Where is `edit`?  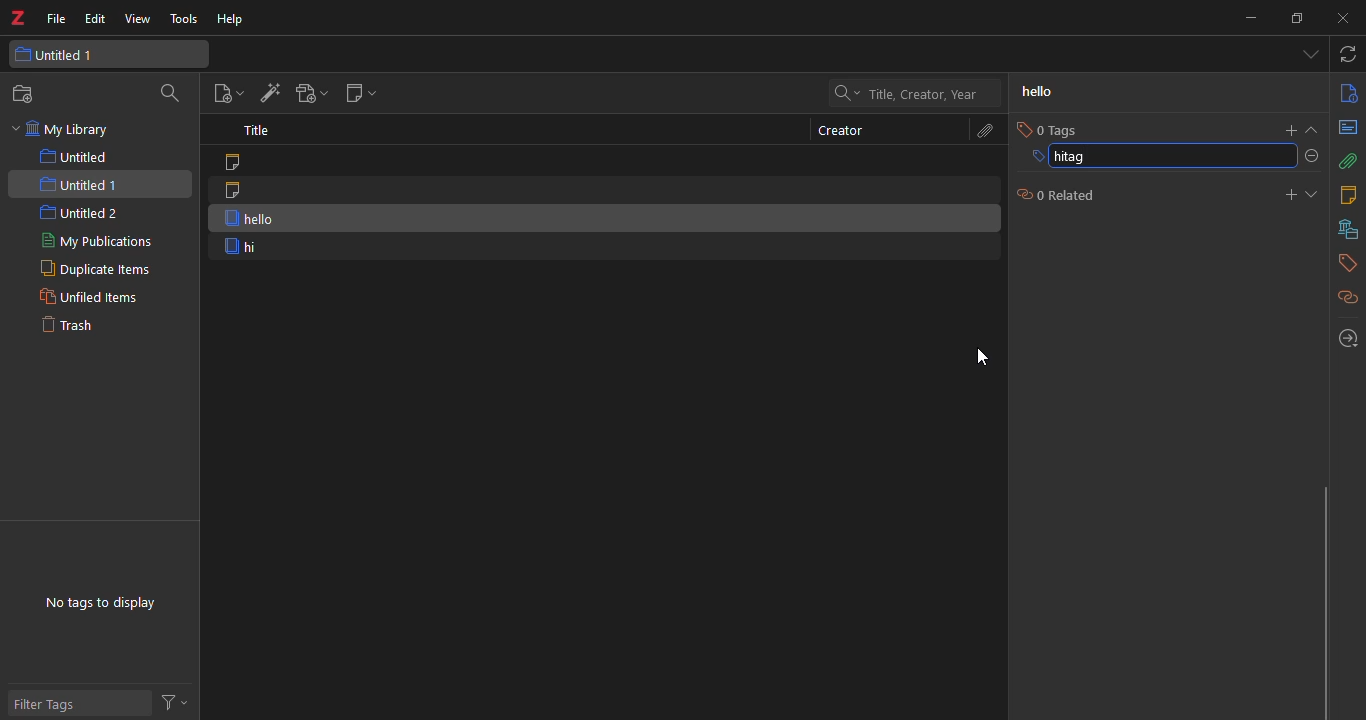
edit is located at coordinates (95, 19).